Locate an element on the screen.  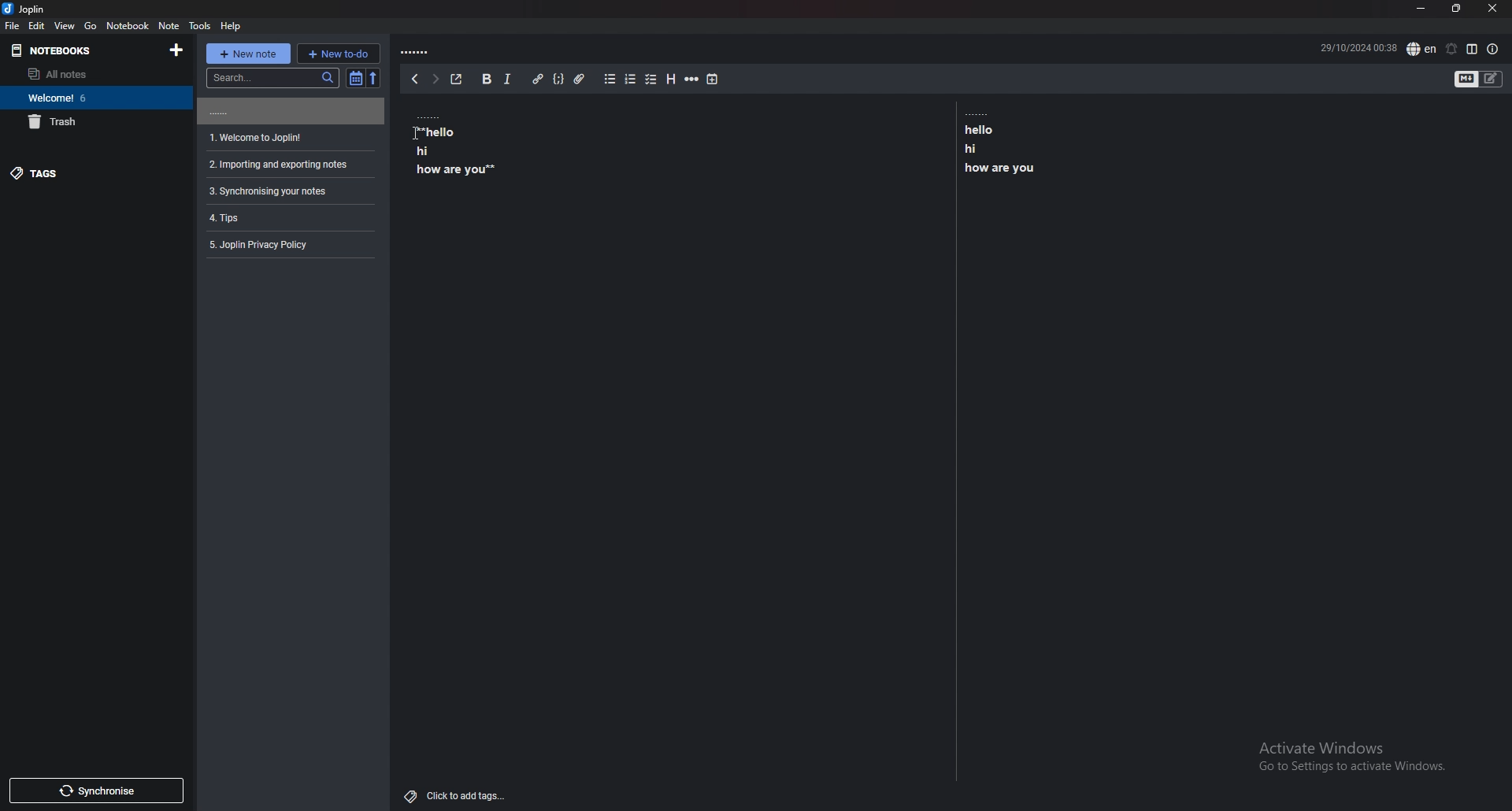
set alarm is located at coordinates (1451, 49).